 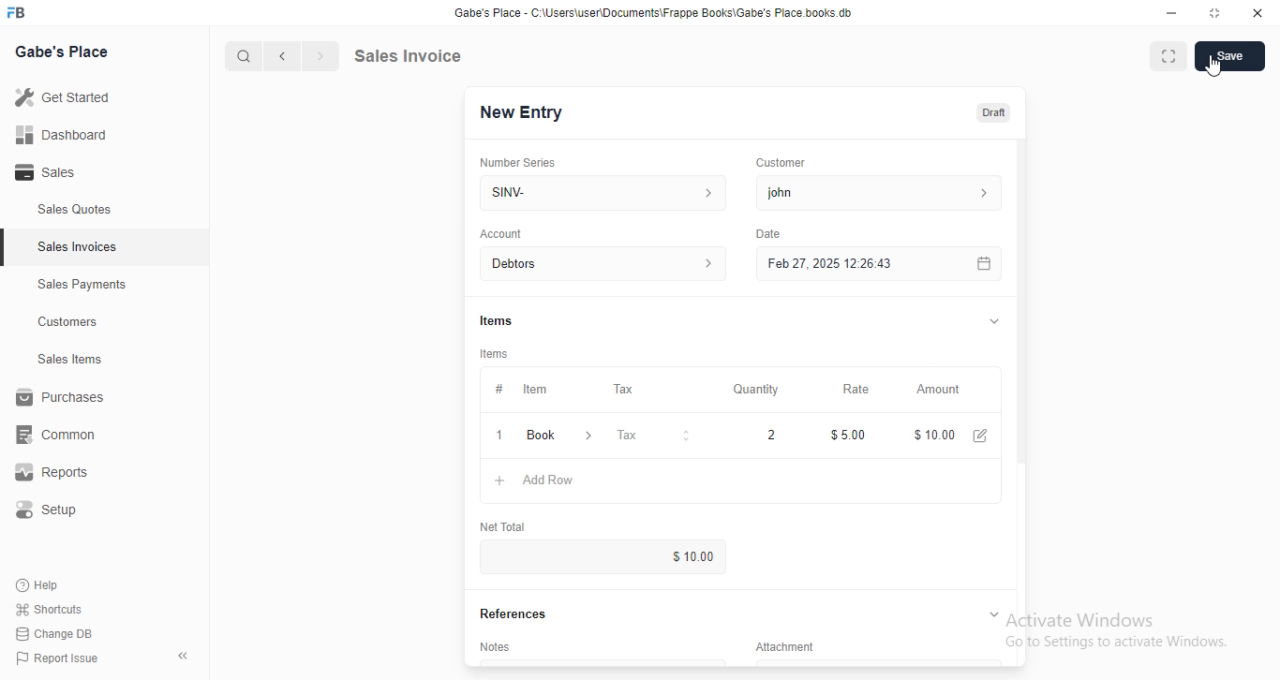 I want to click on Logo, so click(x=24, y=13).